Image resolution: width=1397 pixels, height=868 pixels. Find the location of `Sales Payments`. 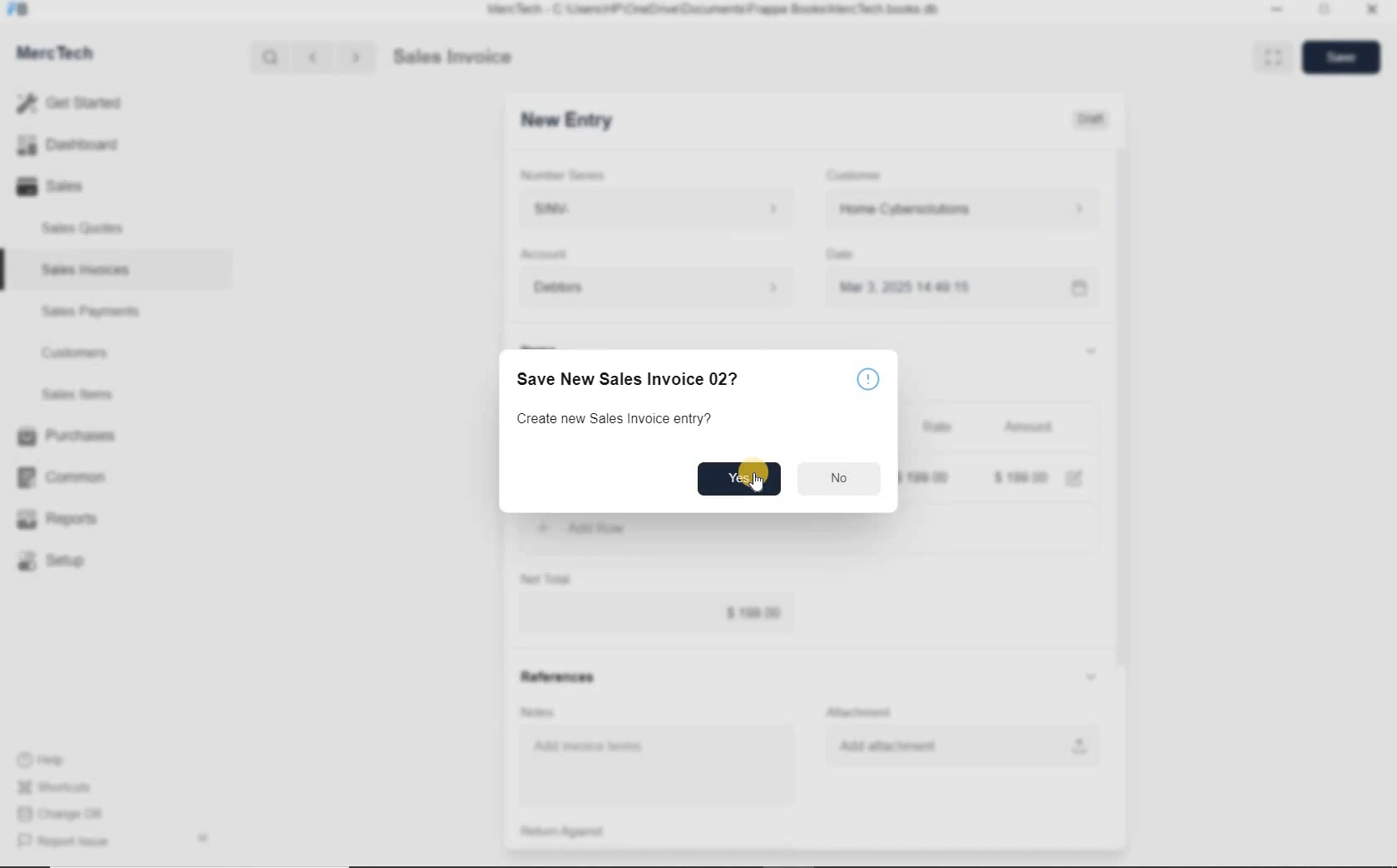

Sales Payments is located at coordinates (88, 312).